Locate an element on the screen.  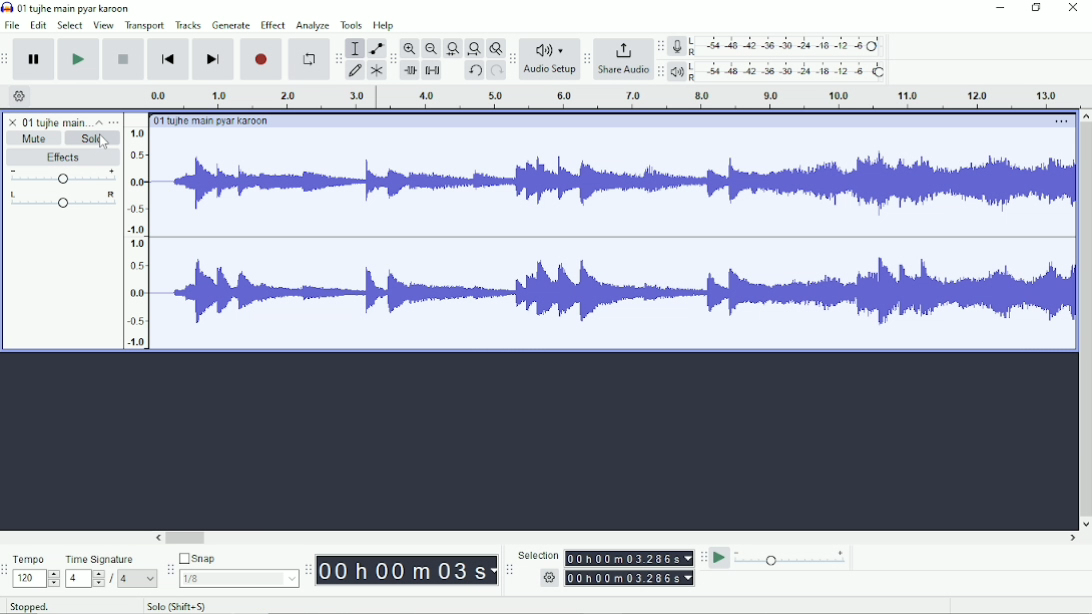
Multi-tool is located at coordinates (376, 70).